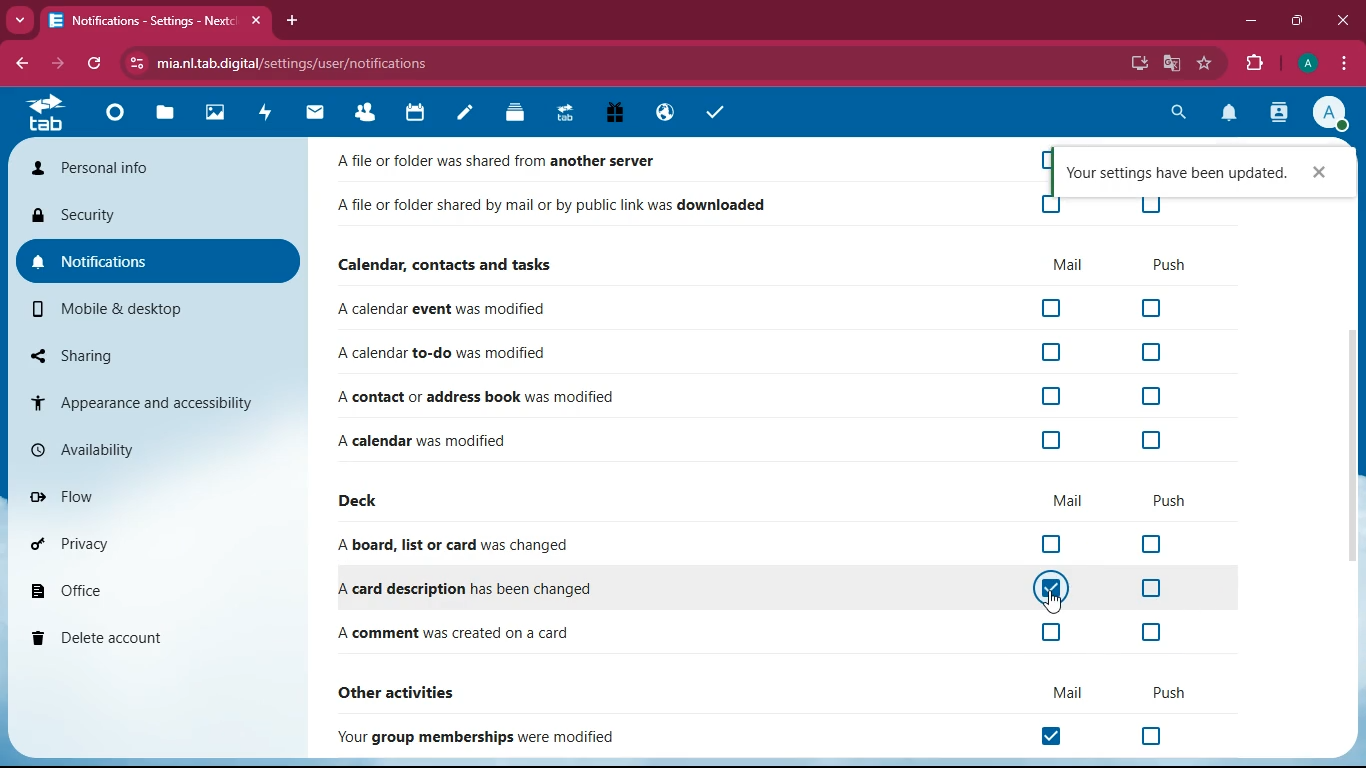 This screenshot has width=1366, height=768. I want to click on A comment was created on a card, so click(456, 635).